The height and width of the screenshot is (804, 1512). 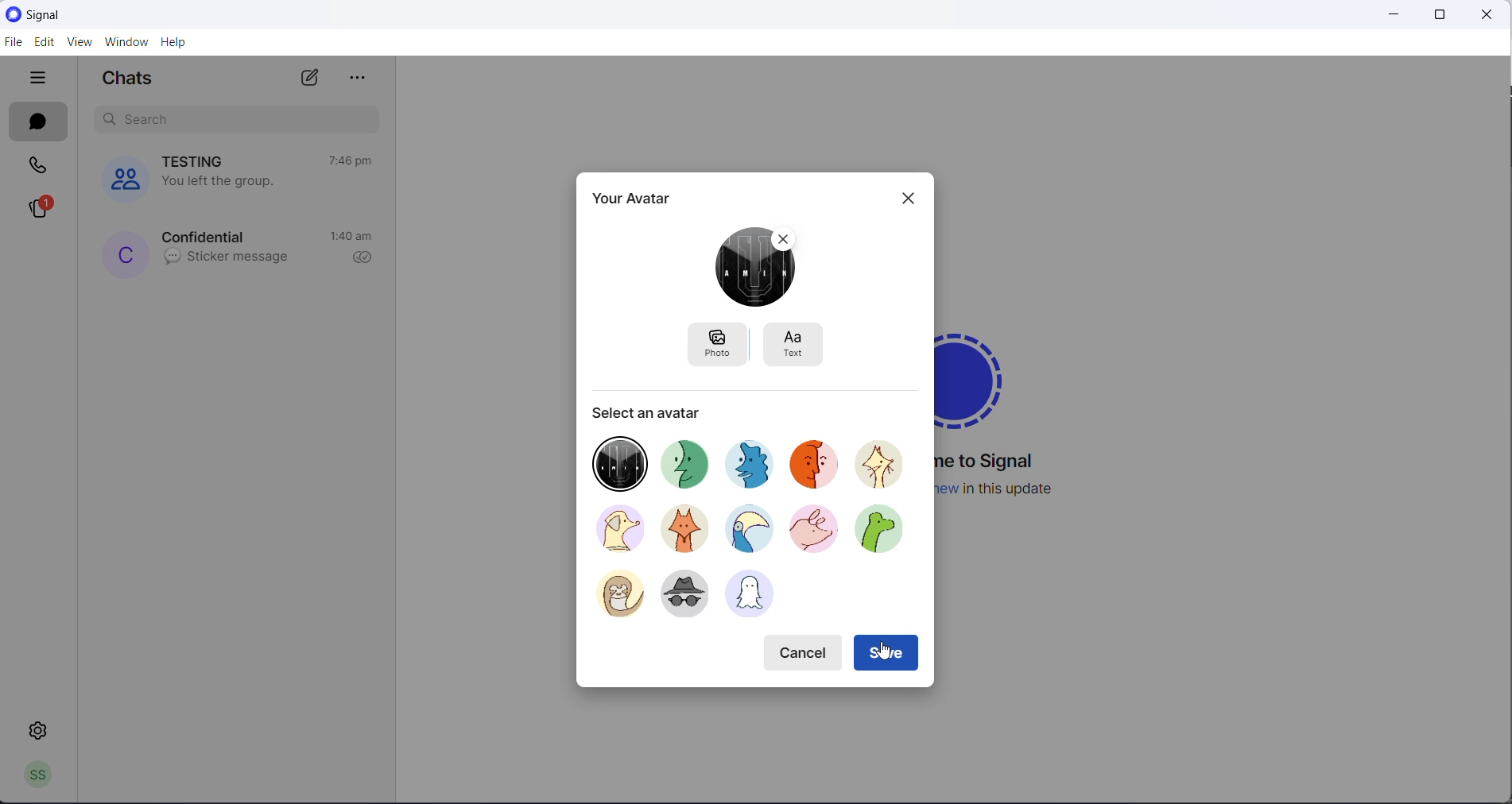 What do you see at coordinates (620, 459) in the screenshot?
I see `avatar` at bounding box center [620, 459].